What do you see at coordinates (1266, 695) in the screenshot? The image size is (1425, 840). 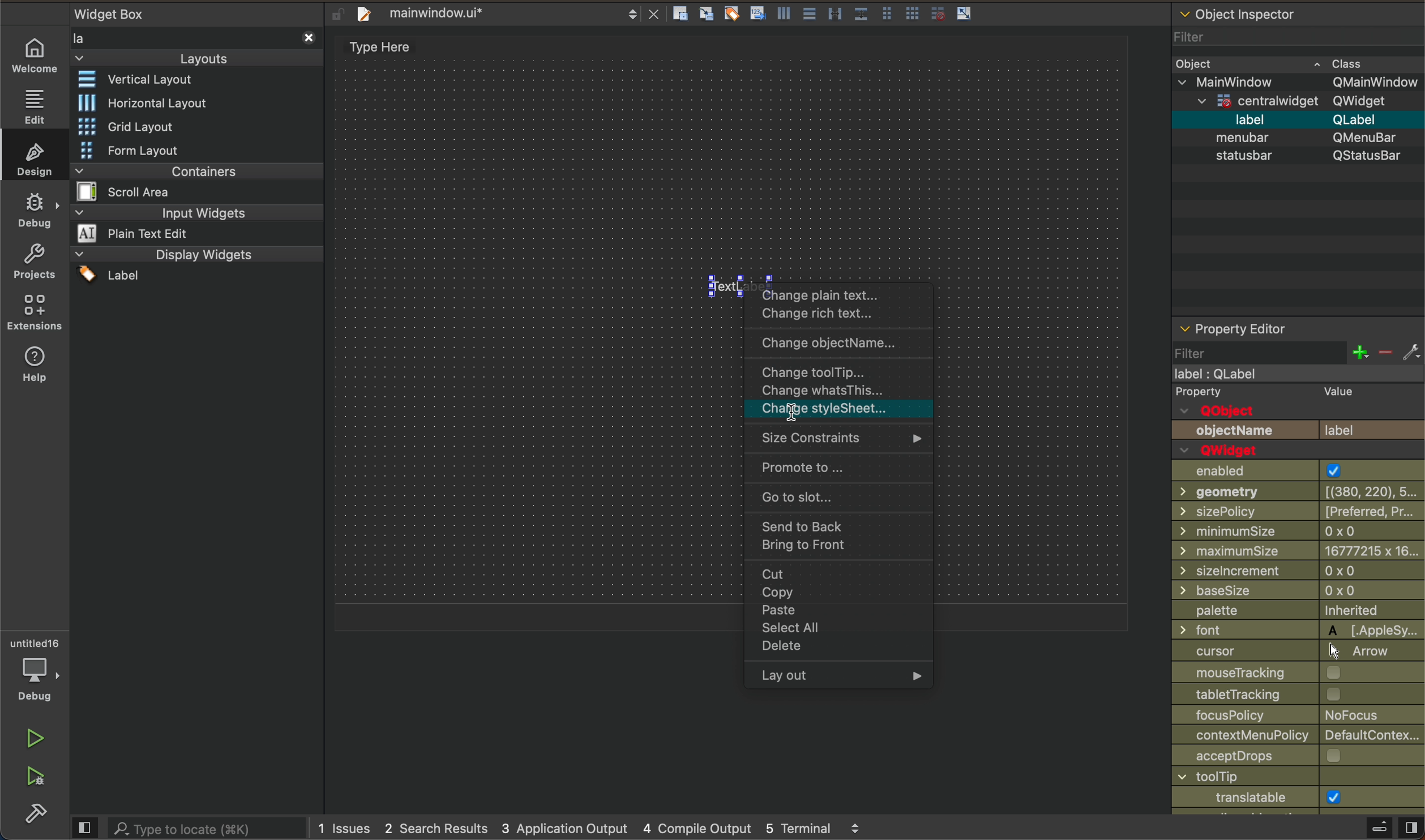 I see `` at bounding box center [1266, 695].